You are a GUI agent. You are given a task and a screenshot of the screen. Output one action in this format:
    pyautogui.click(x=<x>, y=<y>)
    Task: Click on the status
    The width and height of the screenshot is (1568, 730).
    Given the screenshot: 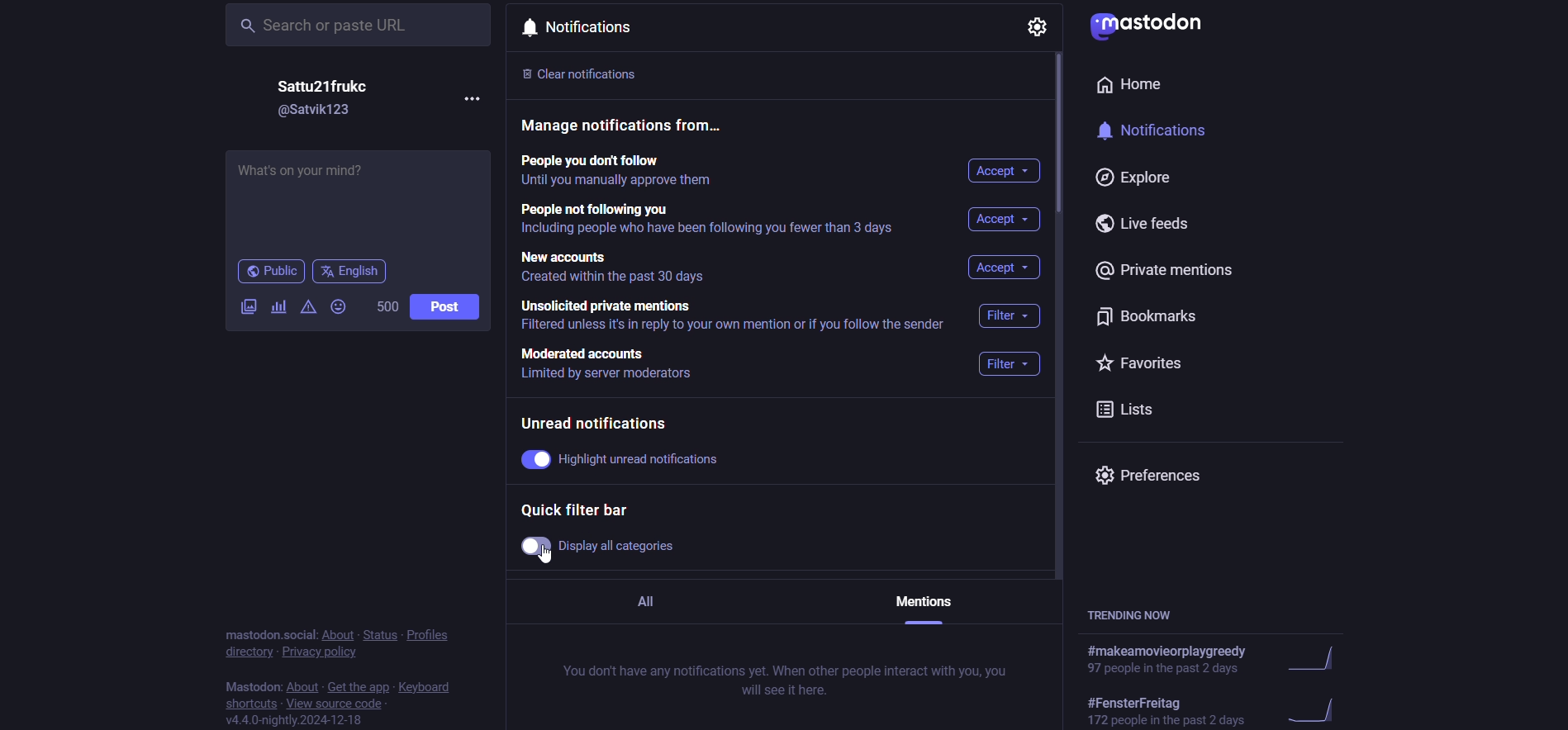 What is the action you would take?
    pyautogui.click(x=382, y=636)
    